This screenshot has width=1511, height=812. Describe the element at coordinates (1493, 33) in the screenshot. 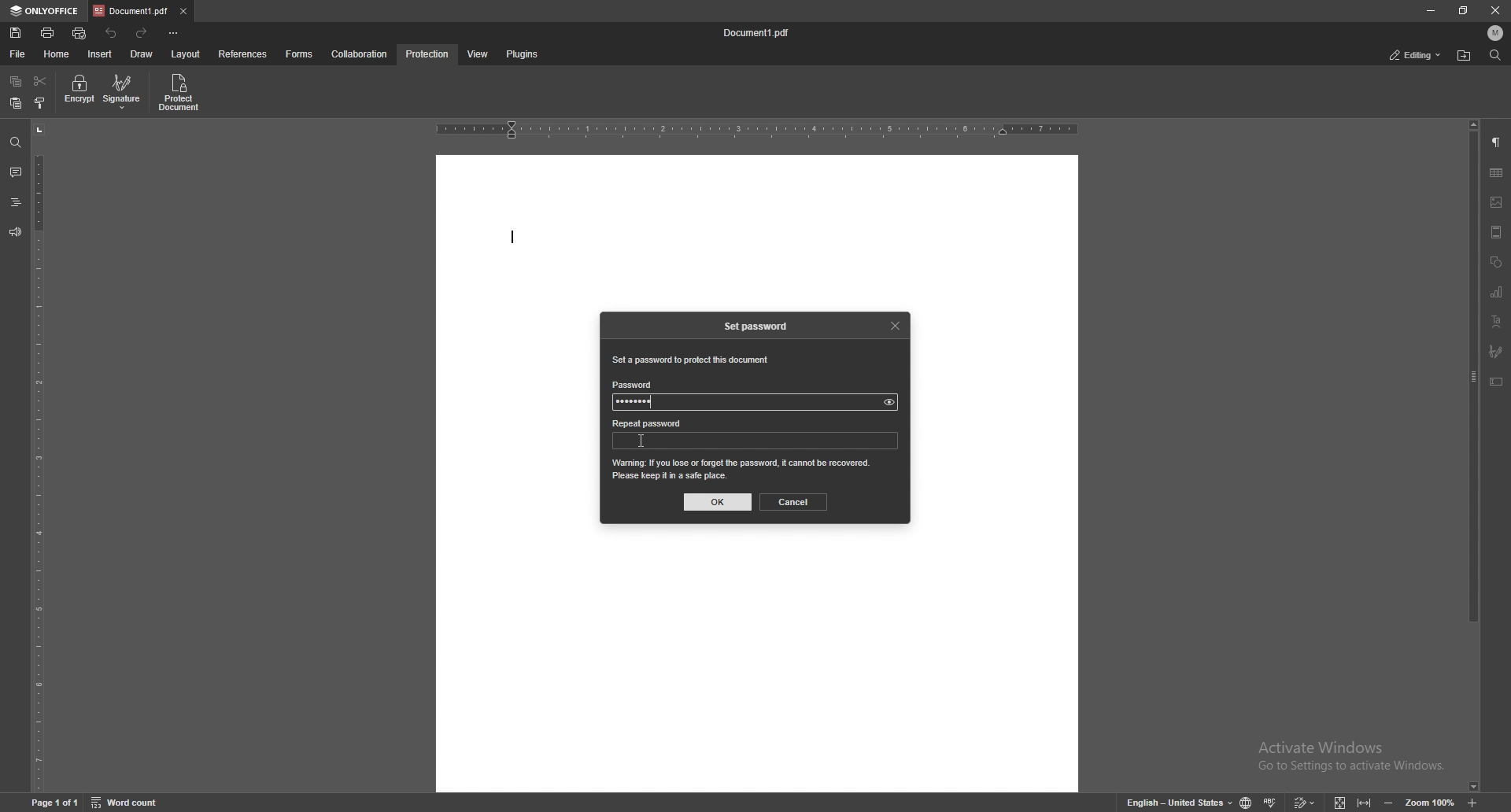

I see `profile` at that location.